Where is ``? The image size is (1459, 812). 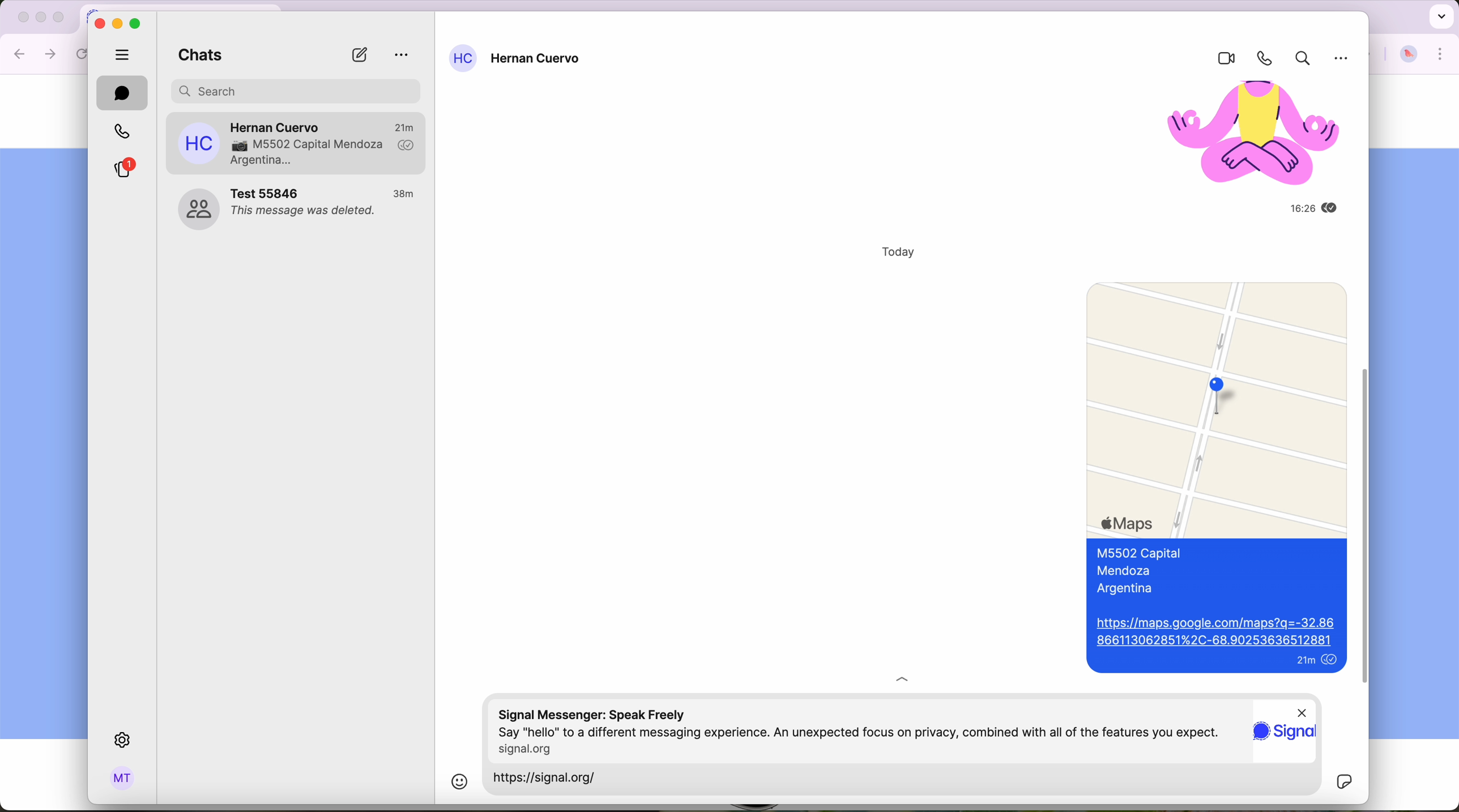  is located at coordinates (1367, 558).